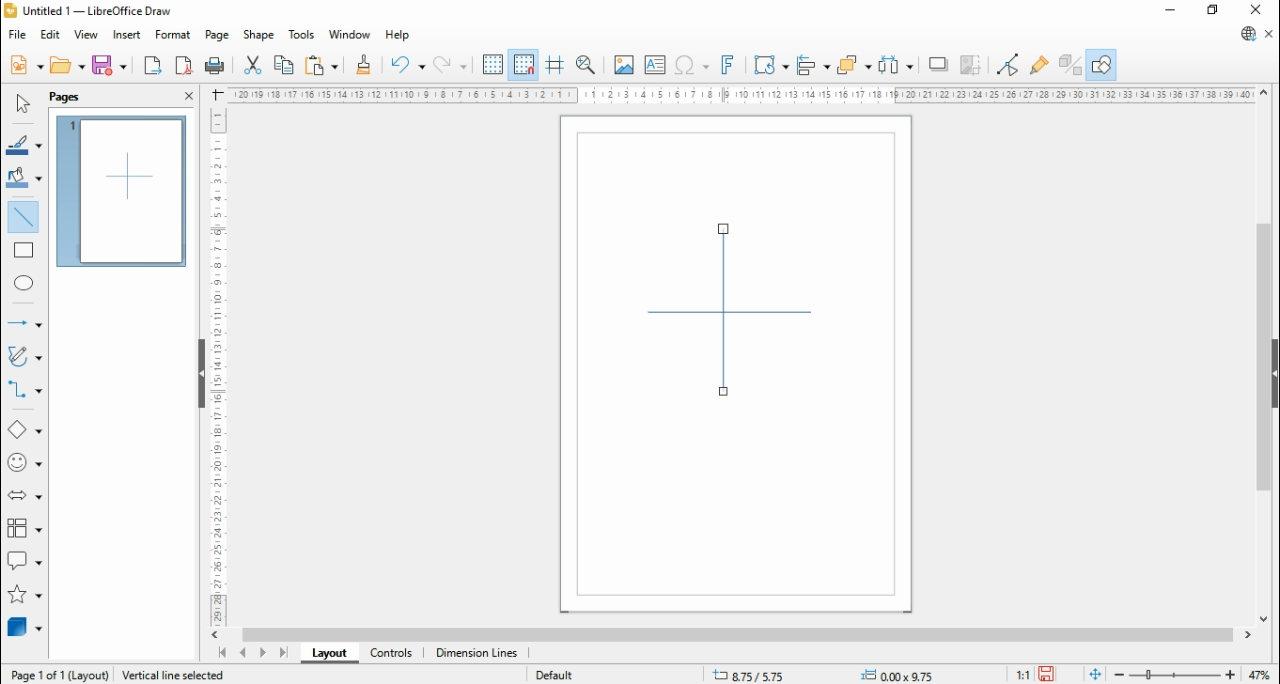  What do you see at coordinates (122, 191) in the screenshot?
I see `page 1` at bounding box center [122, 191].